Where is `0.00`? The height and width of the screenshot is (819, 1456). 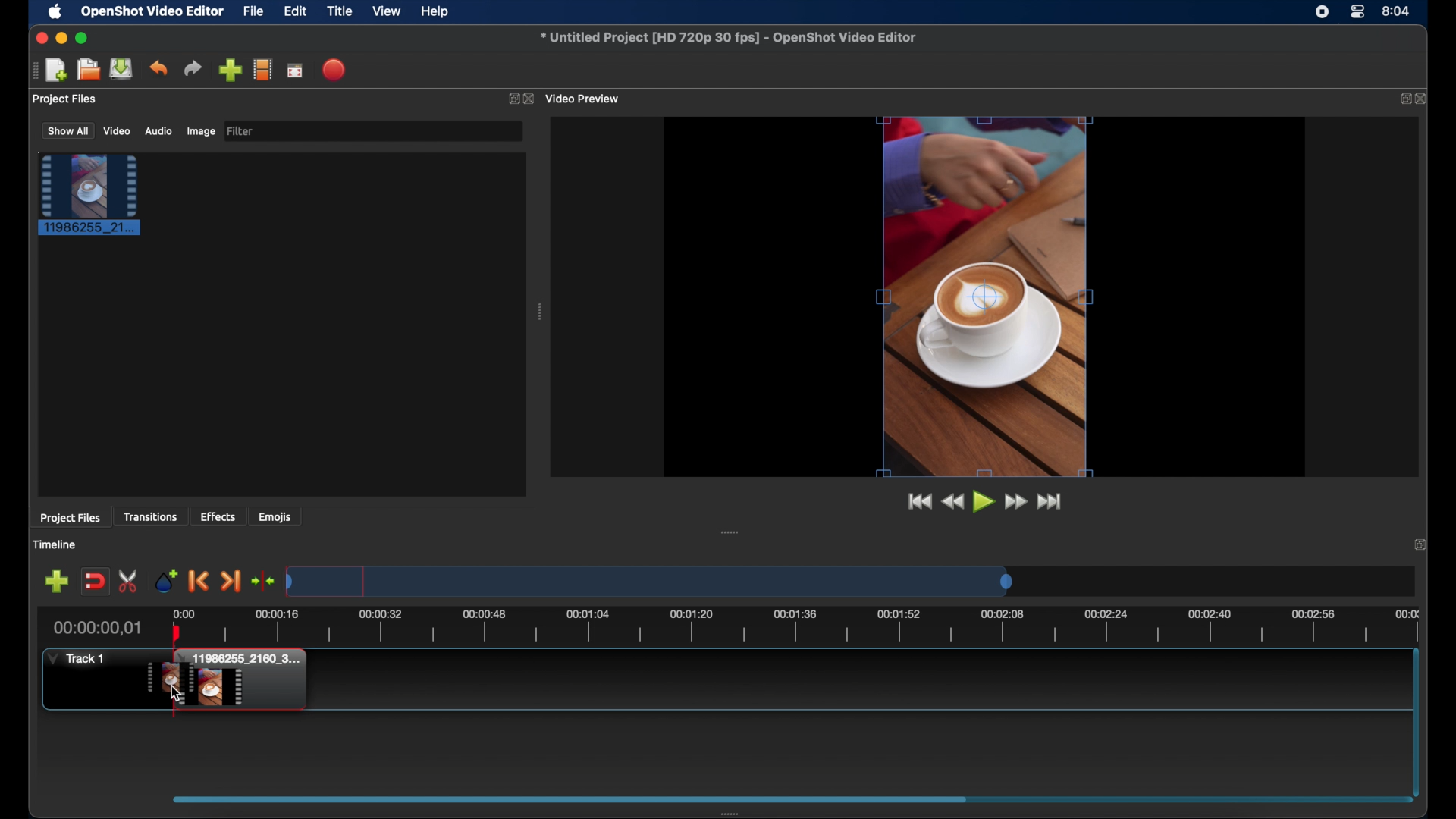
0.00 is located at coordinates (184, 612).